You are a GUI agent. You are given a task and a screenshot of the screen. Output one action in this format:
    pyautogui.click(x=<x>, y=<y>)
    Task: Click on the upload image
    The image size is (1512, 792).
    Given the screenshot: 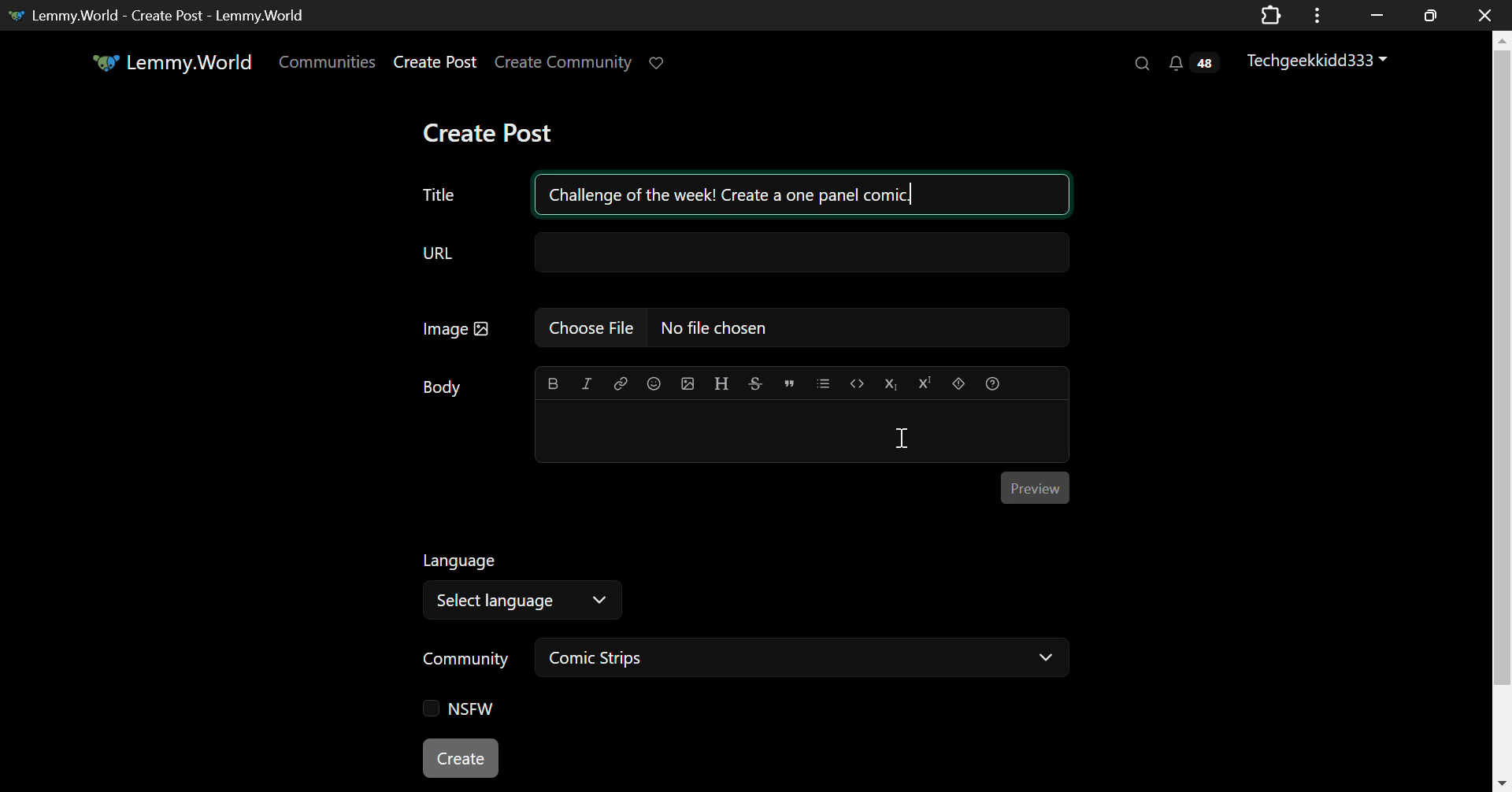 What is the action you would take?
    pyautogui.click(x=689, y=383)
    